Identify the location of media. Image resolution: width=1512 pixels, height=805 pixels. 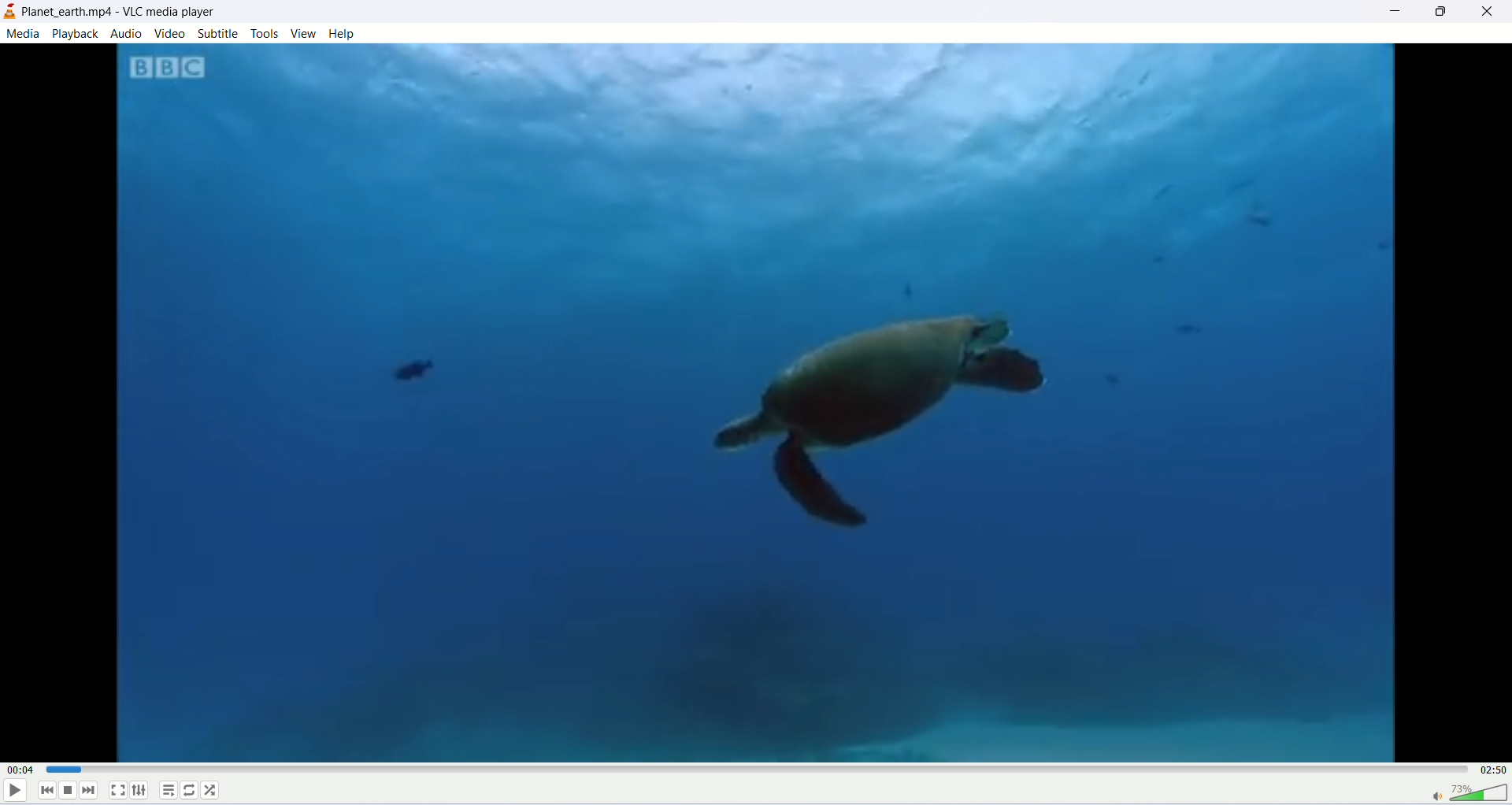
(25, 32).